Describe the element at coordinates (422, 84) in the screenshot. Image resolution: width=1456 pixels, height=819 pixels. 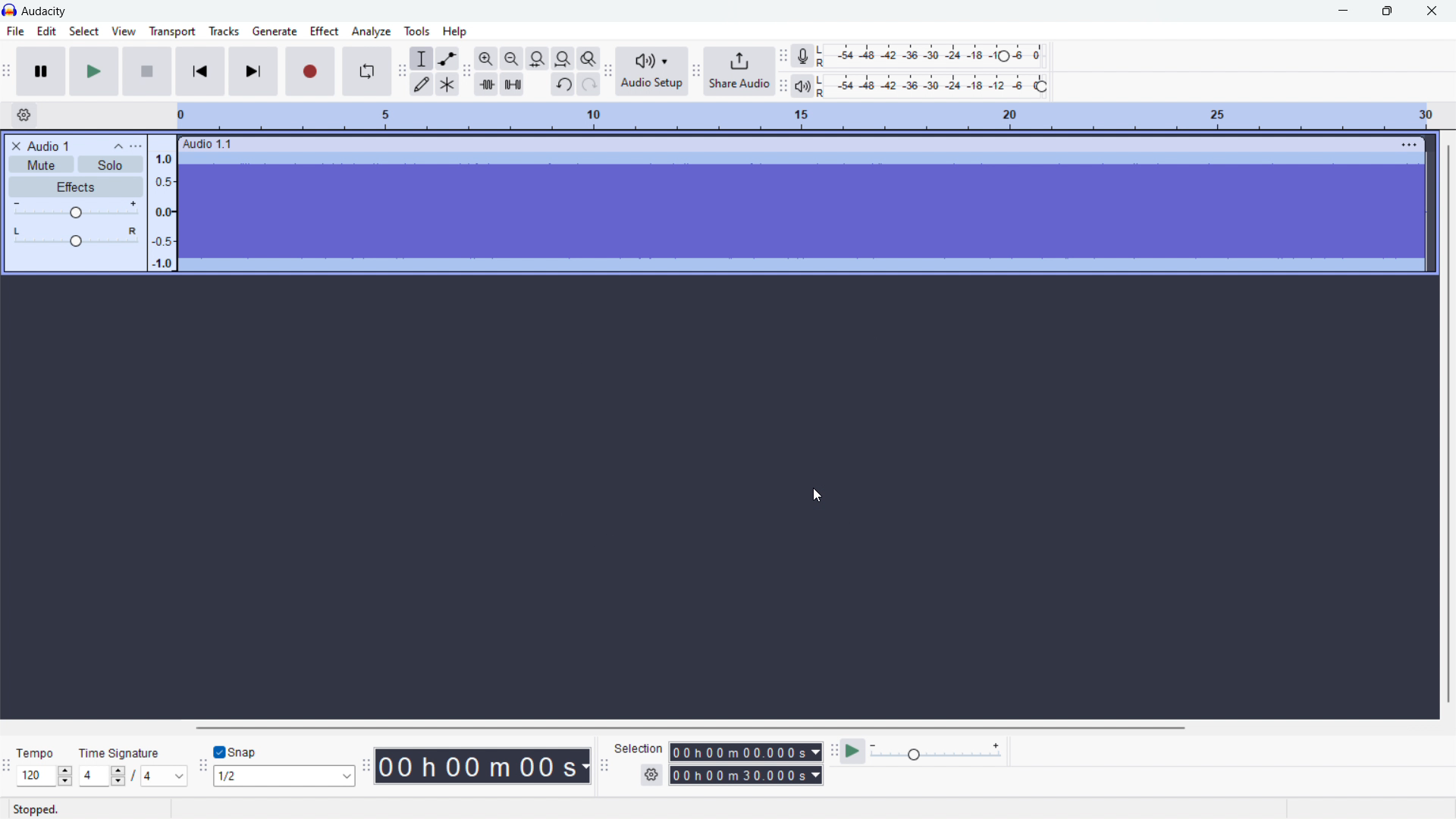
I see `draw tool` at that location.